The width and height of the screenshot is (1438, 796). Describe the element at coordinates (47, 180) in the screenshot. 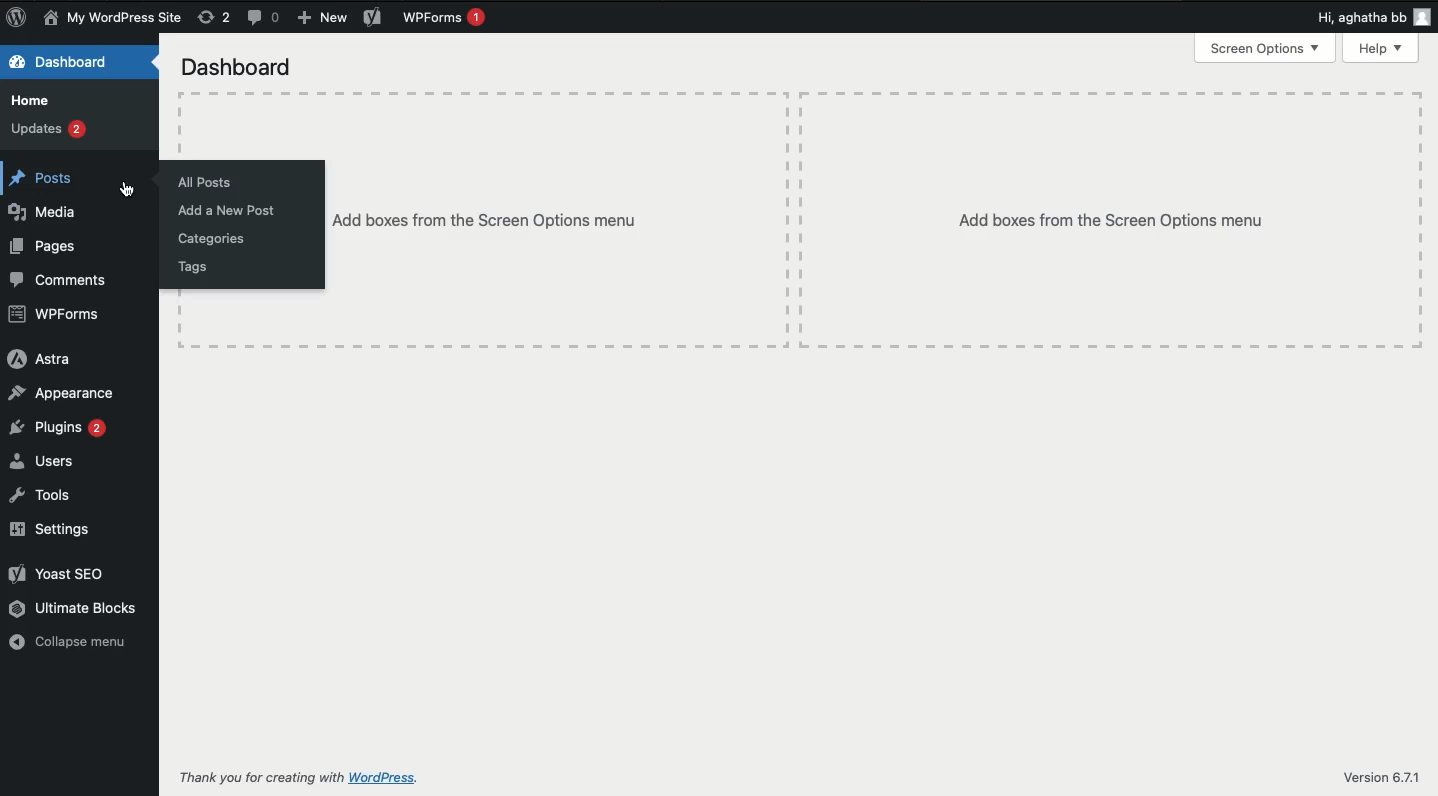

I see `Posts` at that location.